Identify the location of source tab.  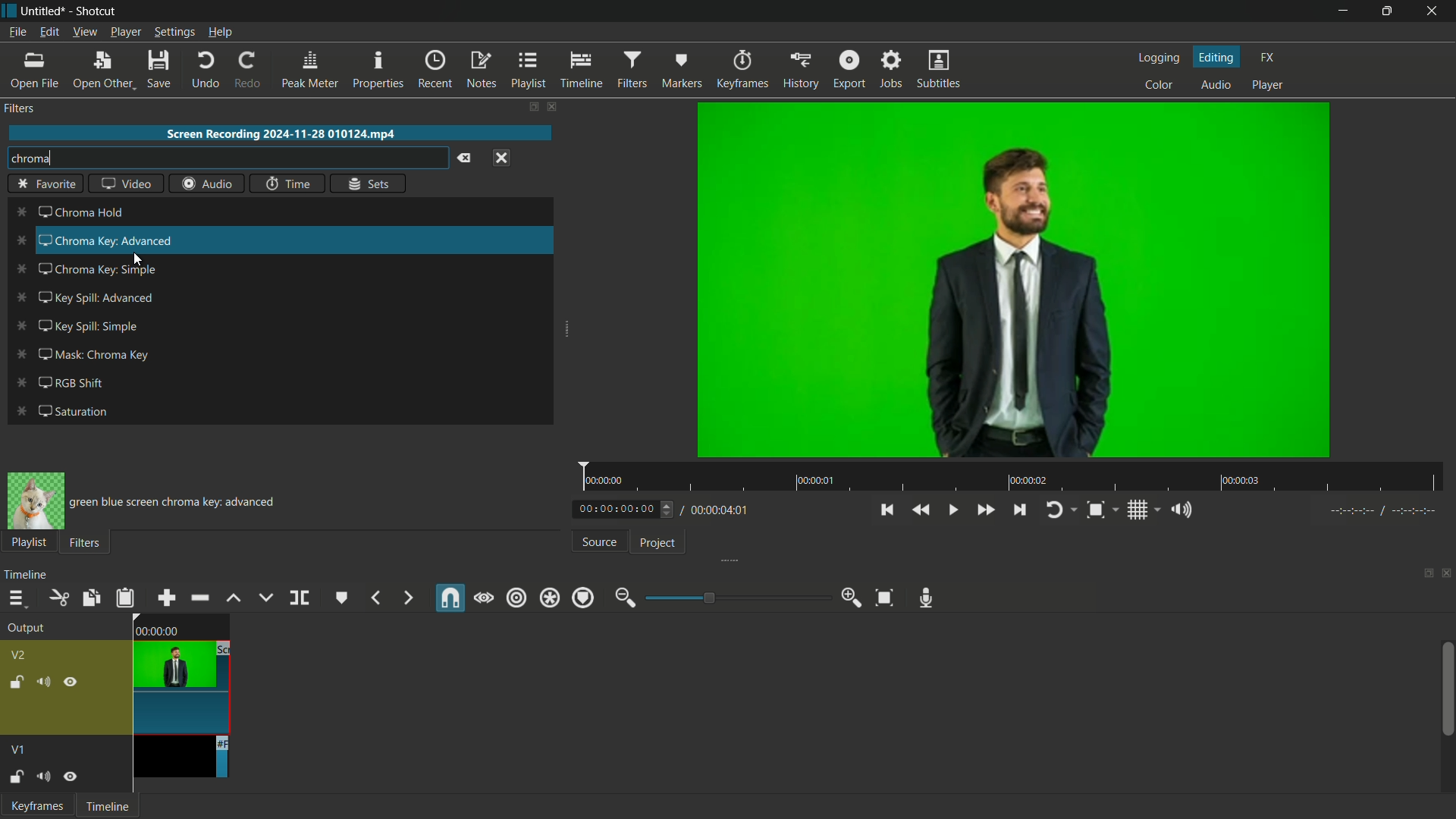
(598, 541).